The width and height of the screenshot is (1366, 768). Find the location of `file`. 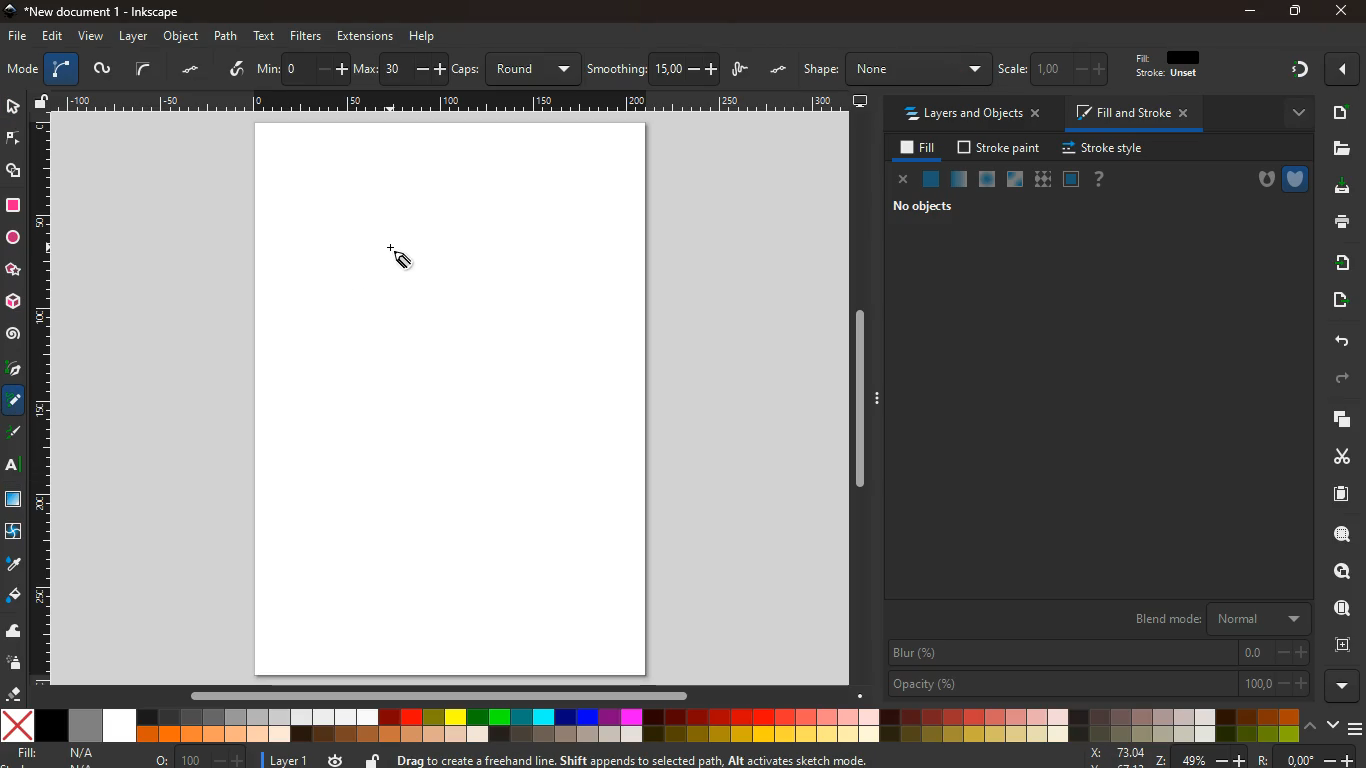

file is located at coordinates (18, 37).